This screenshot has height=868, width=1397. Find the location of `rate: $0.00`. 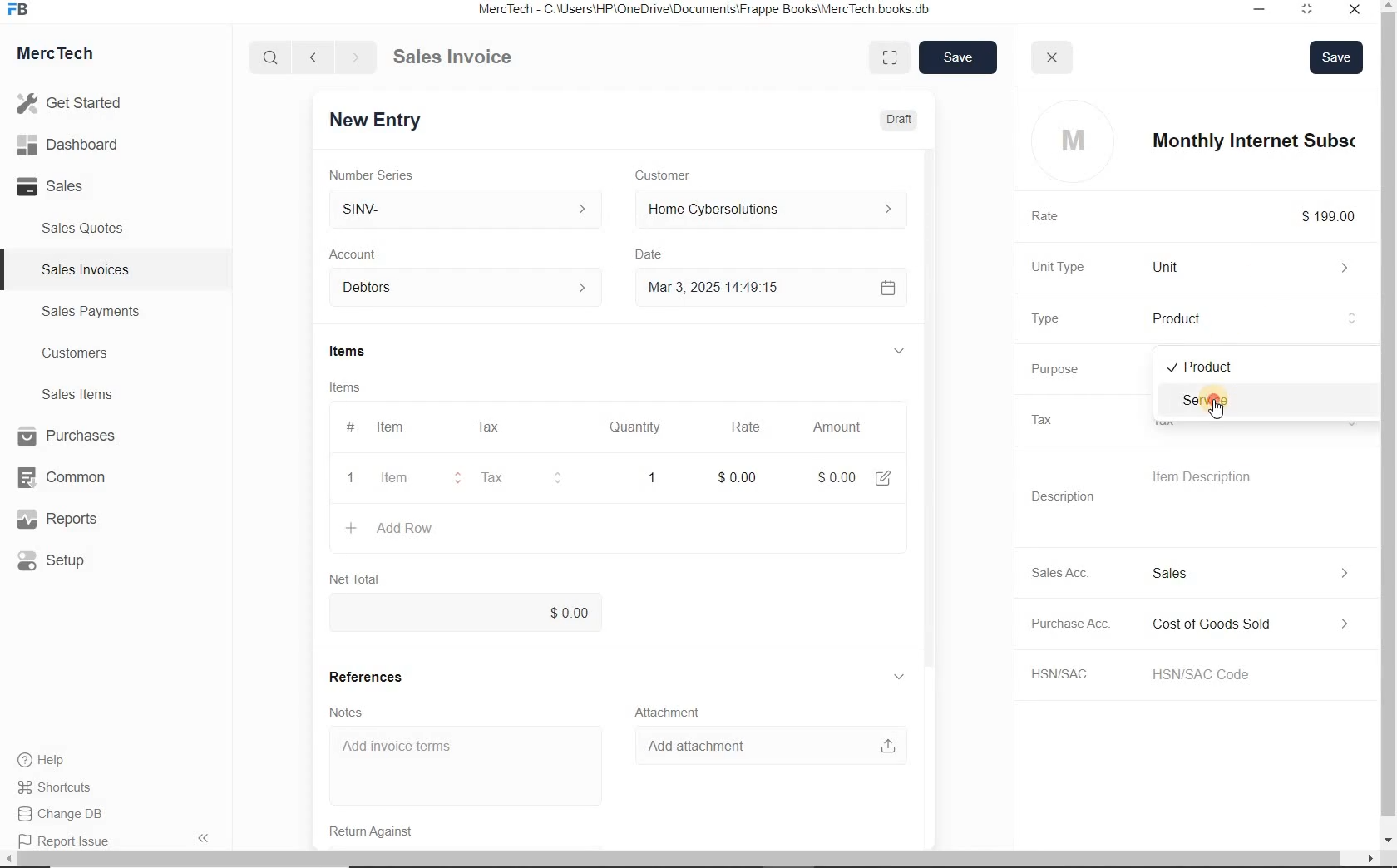

rate: $0.00 is located at coordinates (745, 476).